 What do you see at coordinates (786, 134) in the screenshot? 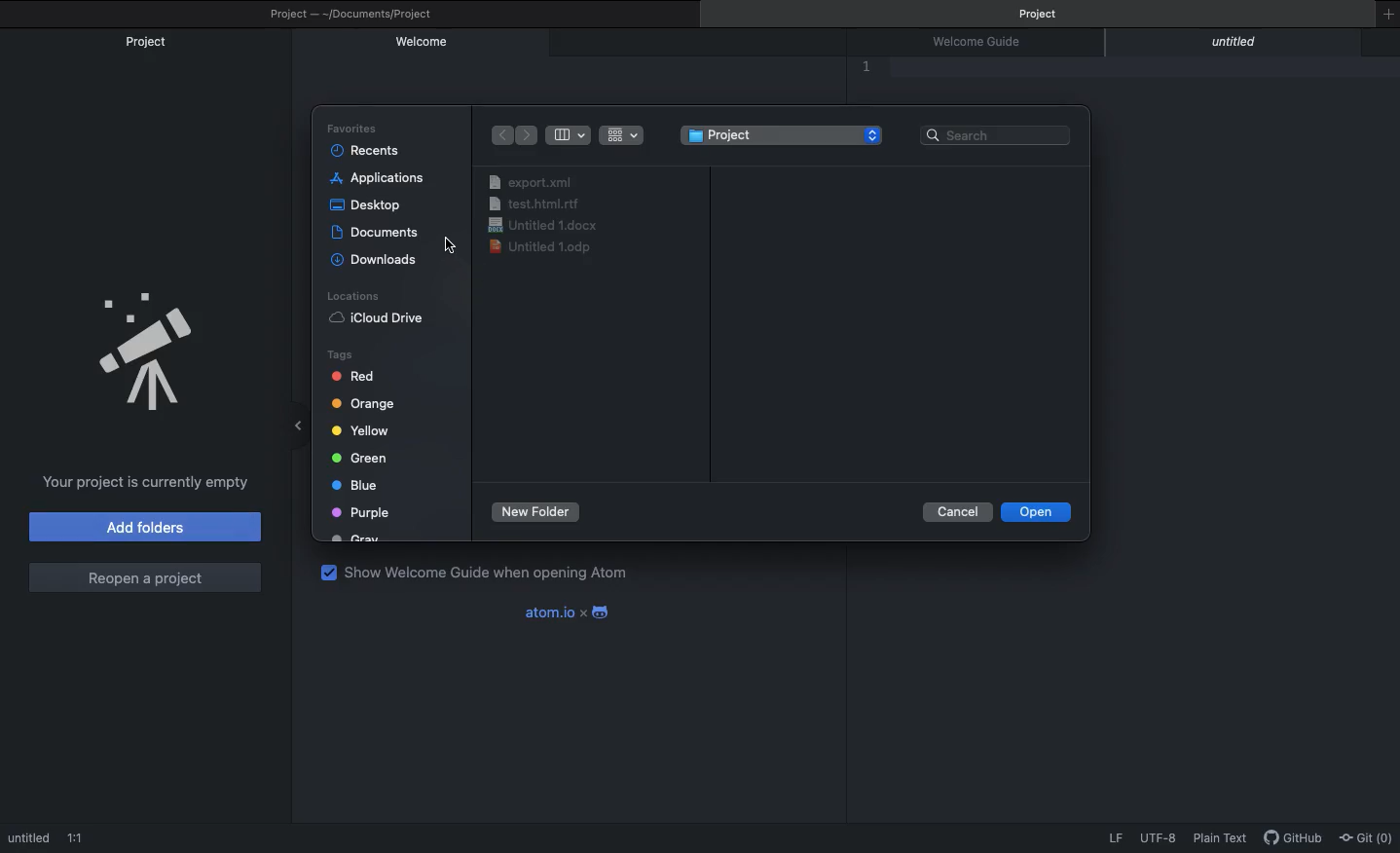
I see `Folder` at bounding box center [786, 134].